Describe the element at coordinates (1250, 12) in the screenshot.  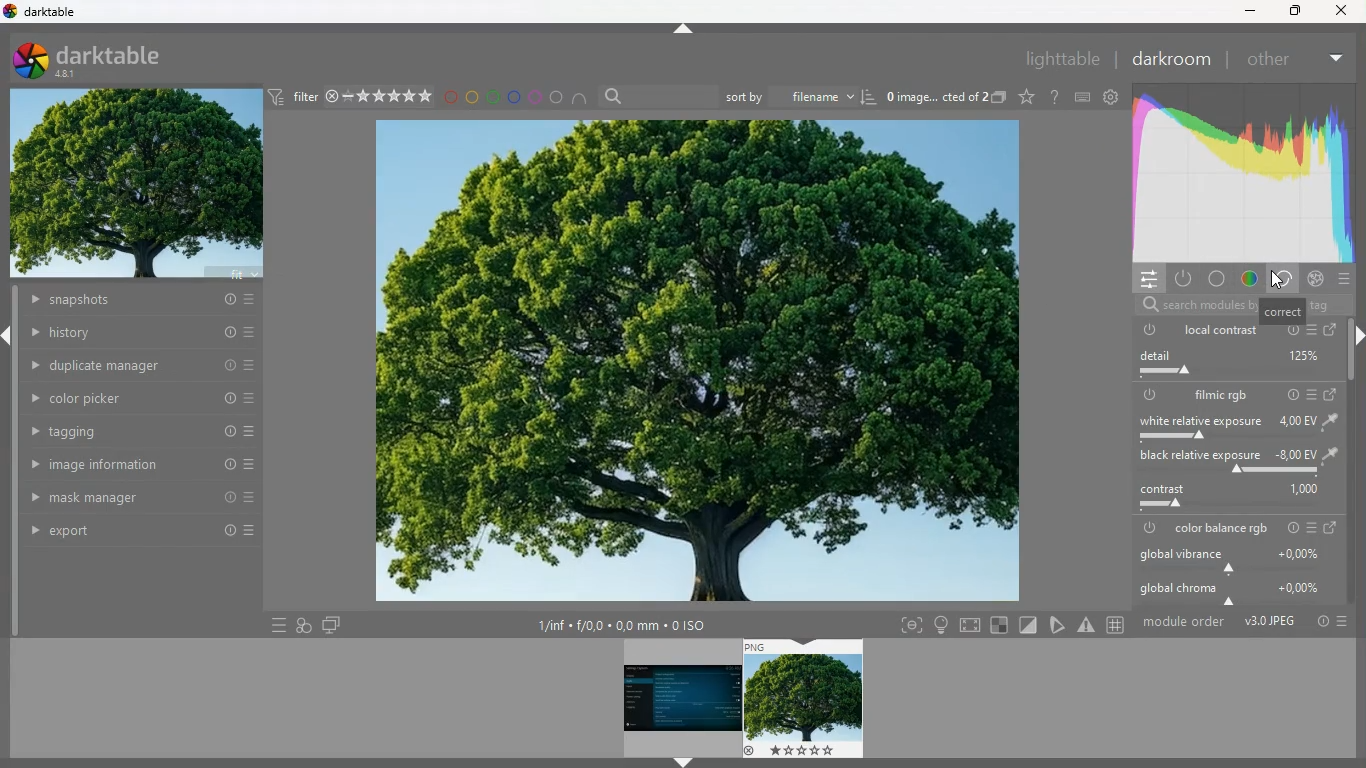
I see `minimize` at that location.